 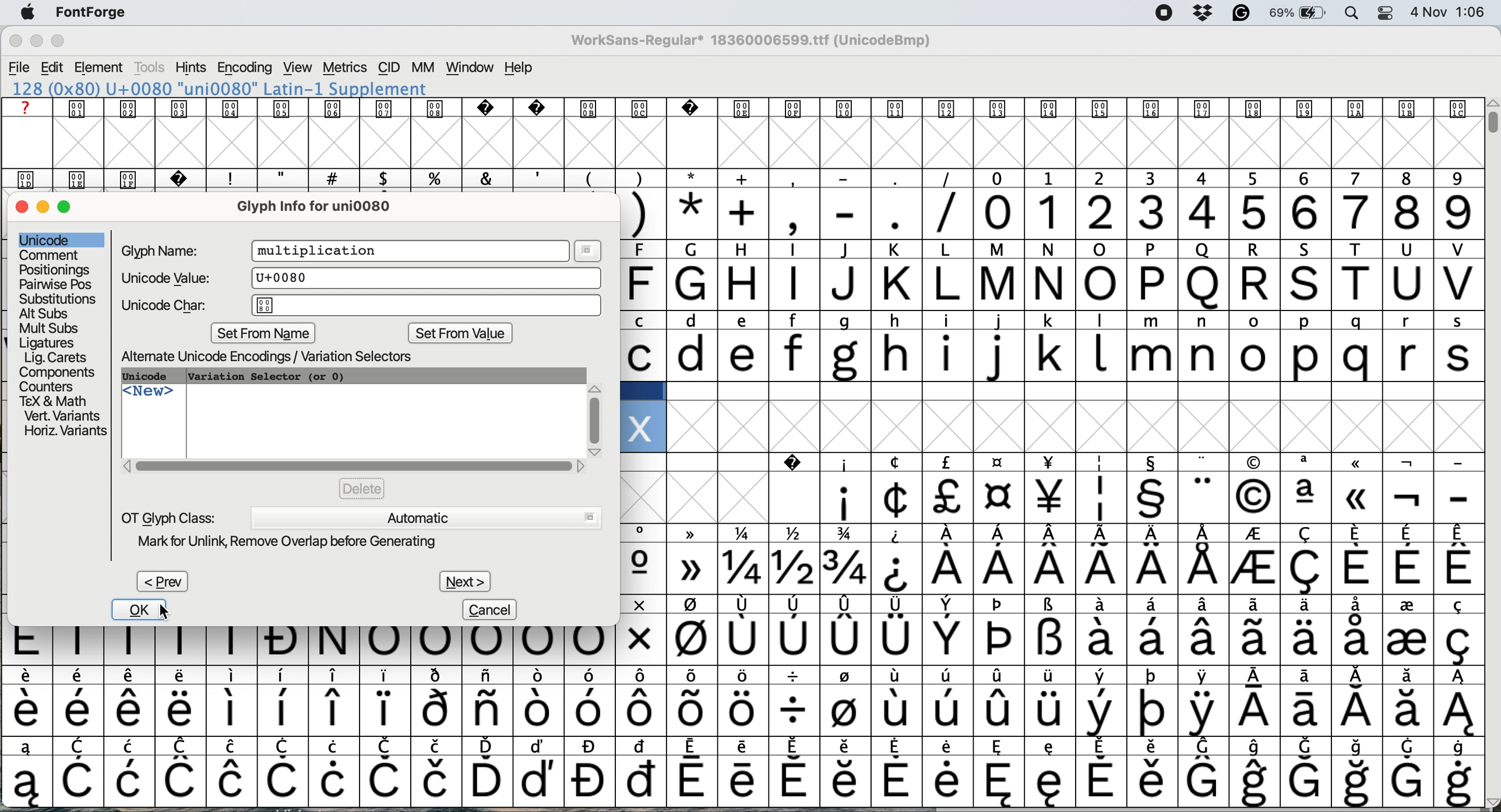 I want to click on special characters, so click(x=1050, y=535).